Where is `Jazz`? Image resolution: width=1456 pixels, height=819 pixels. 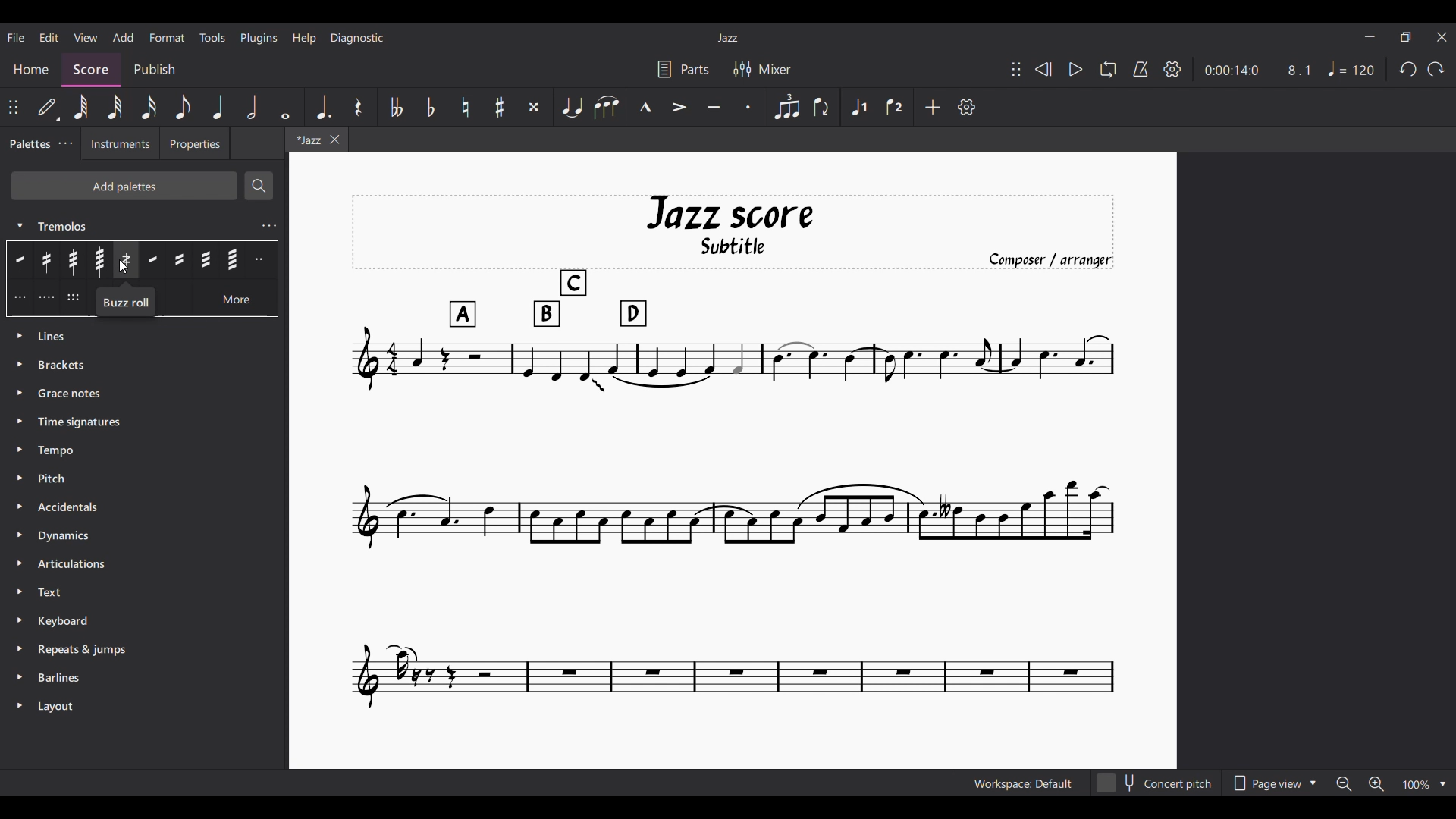 Jazz is located at coordinates (728, 37).